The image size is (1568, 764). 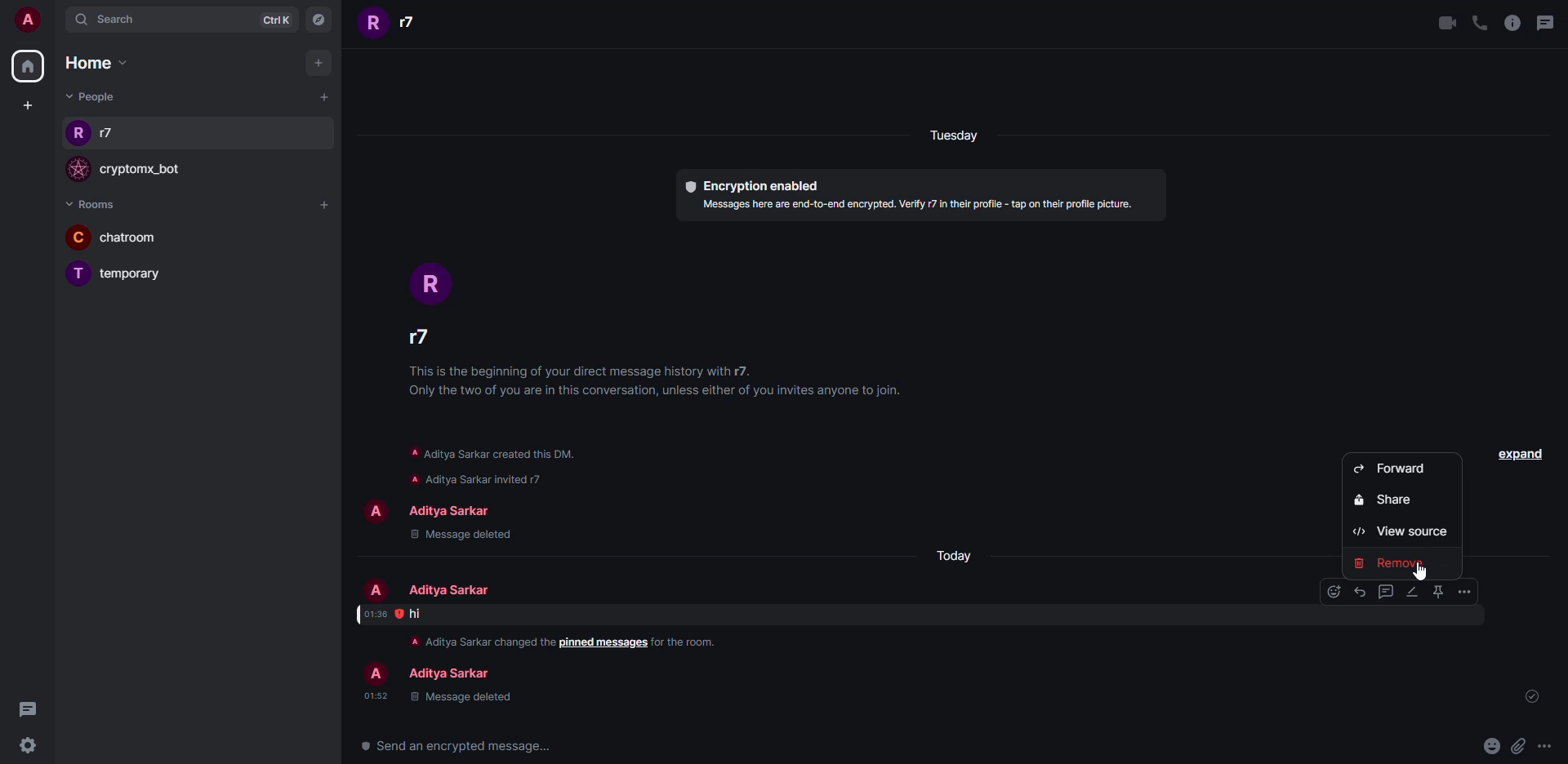 What do you see at coordinates (149, 274) in the screenshot?
I see `room` at bounding box center [149, 274].